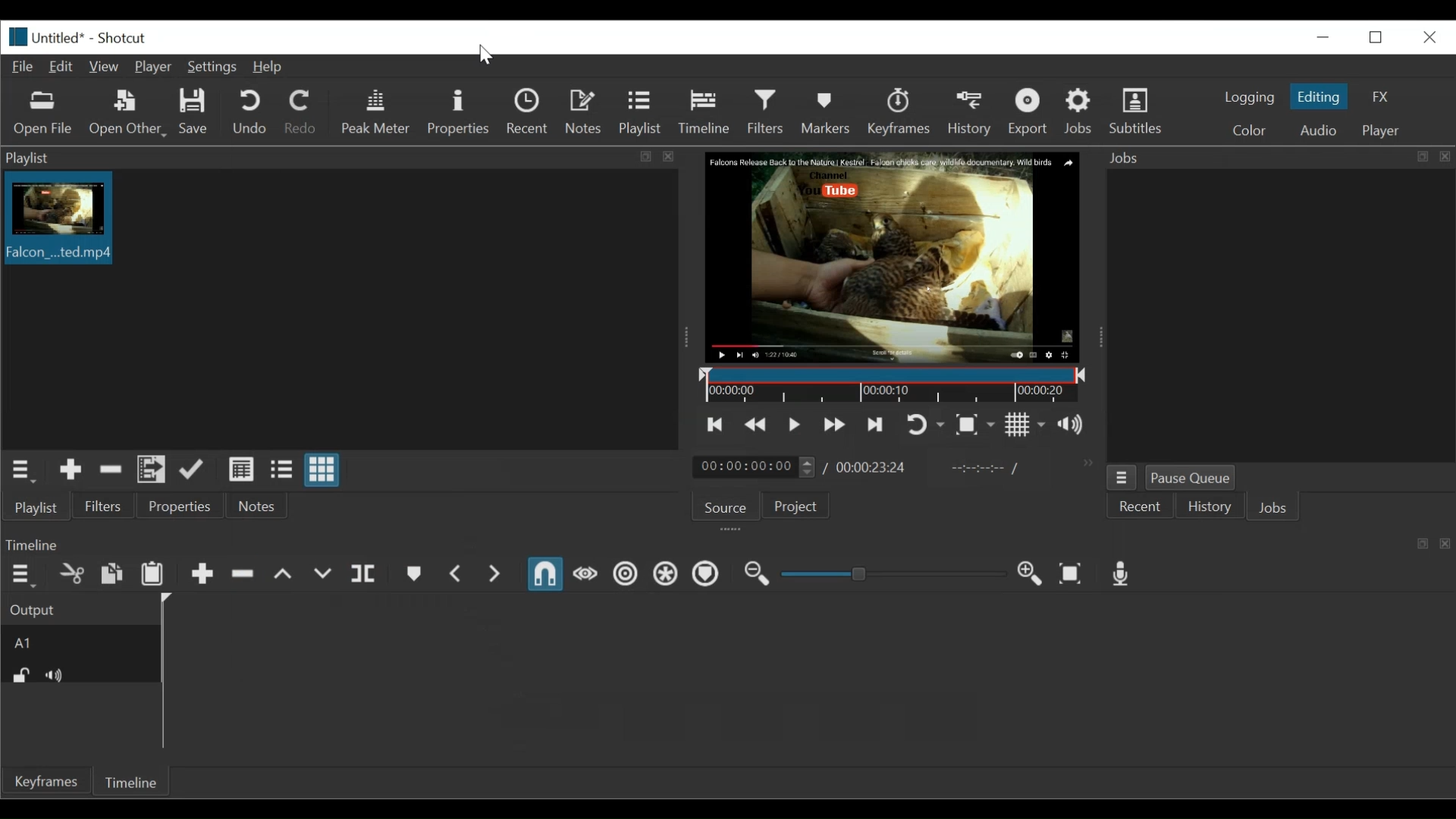 The width and height of the screenshot is (1456, 819). What do you see at coordinates (1376, 38) in the screenshot?
I see `Restore` at bounding box center [1376, 38].